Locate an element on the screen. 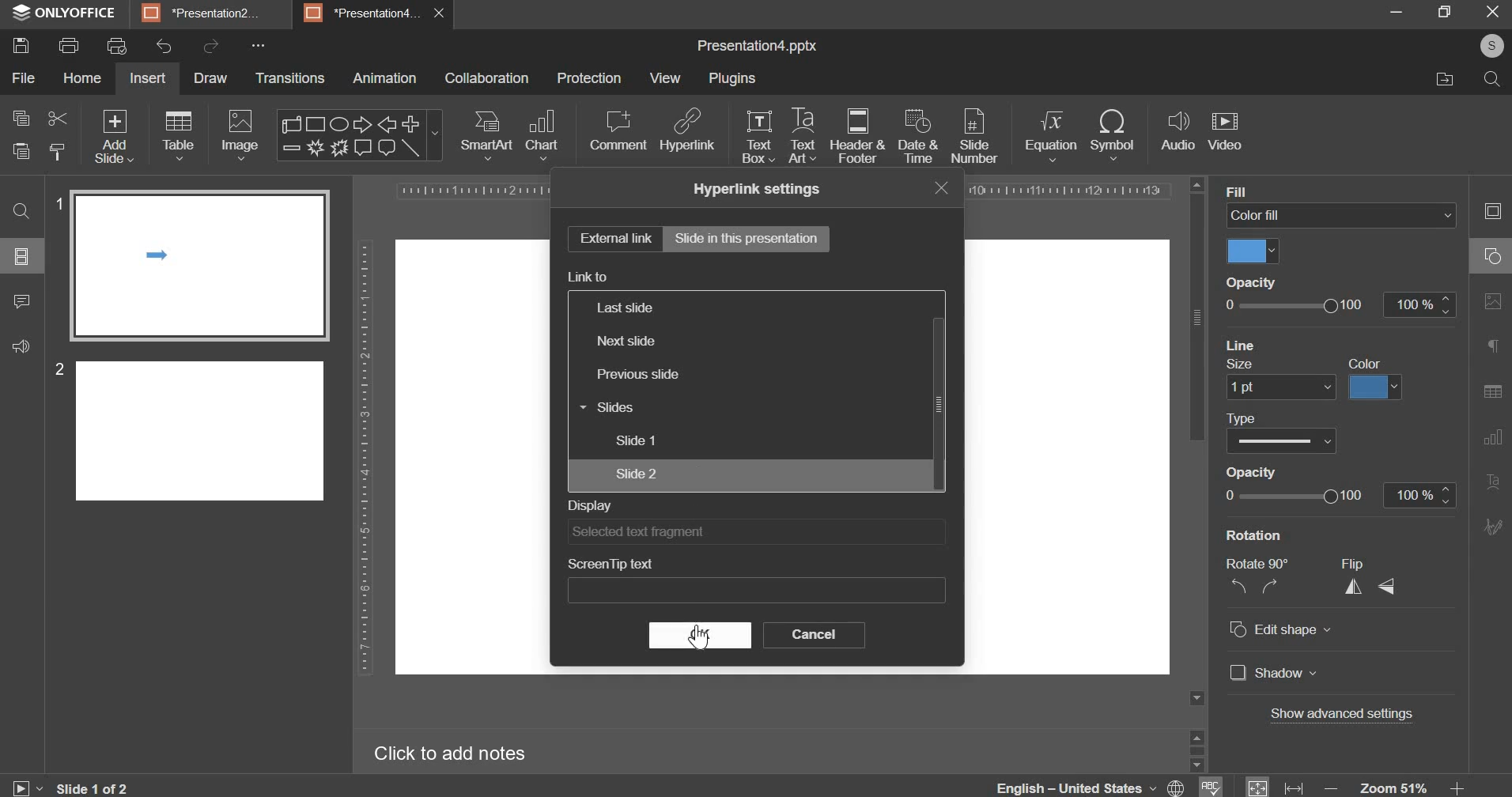 This screenshot has width=1512, height=797. presentation name is located at coordinates (757, 47).